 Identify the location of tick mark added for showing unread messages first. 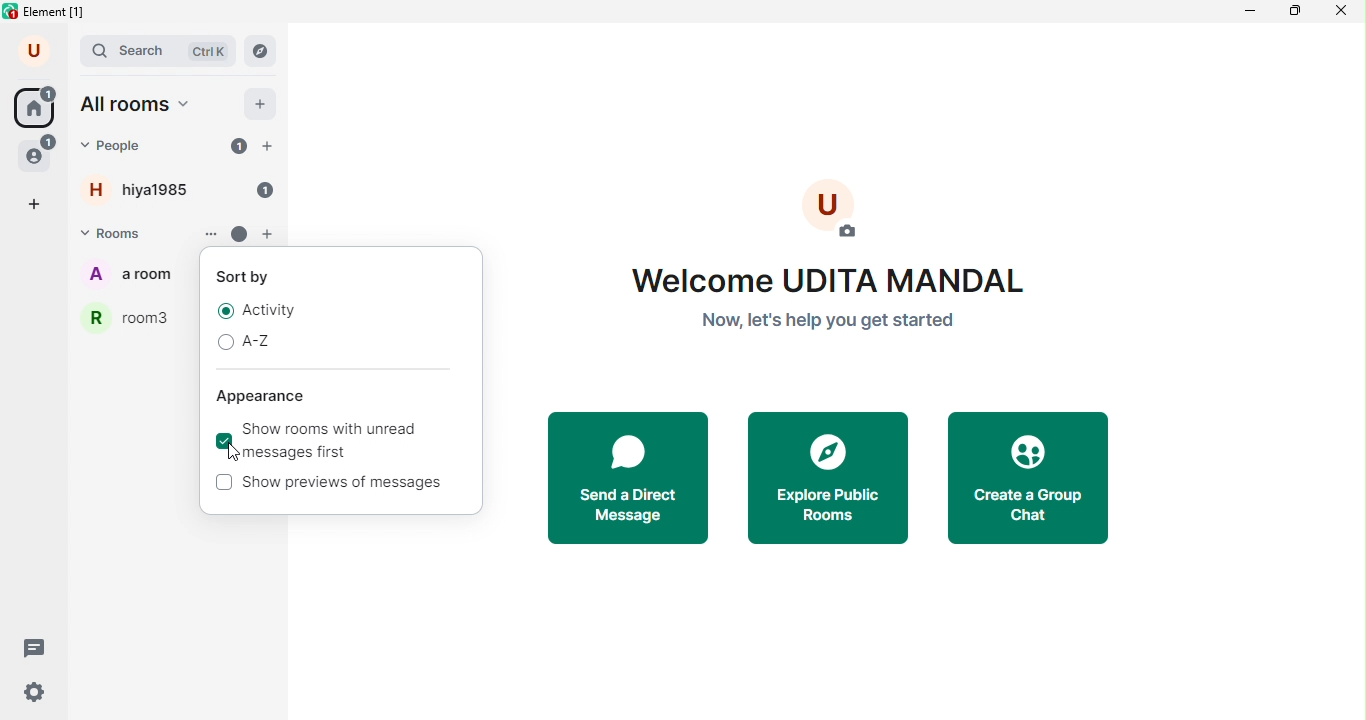
(223, 440).